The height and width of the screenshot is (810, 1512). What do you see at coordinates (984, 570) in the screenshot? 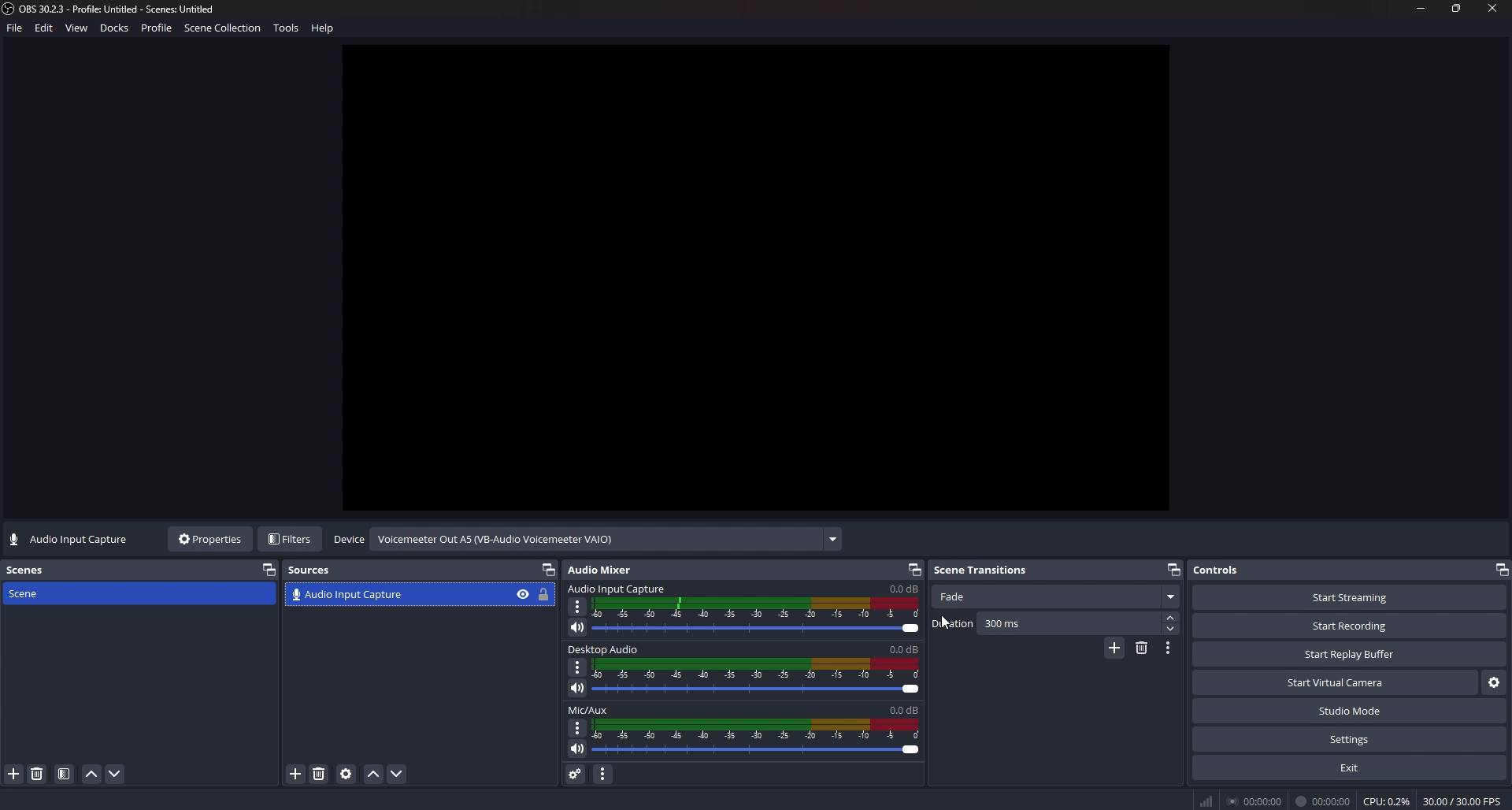
I see `scene transitions` at bounding box center [984, 570].